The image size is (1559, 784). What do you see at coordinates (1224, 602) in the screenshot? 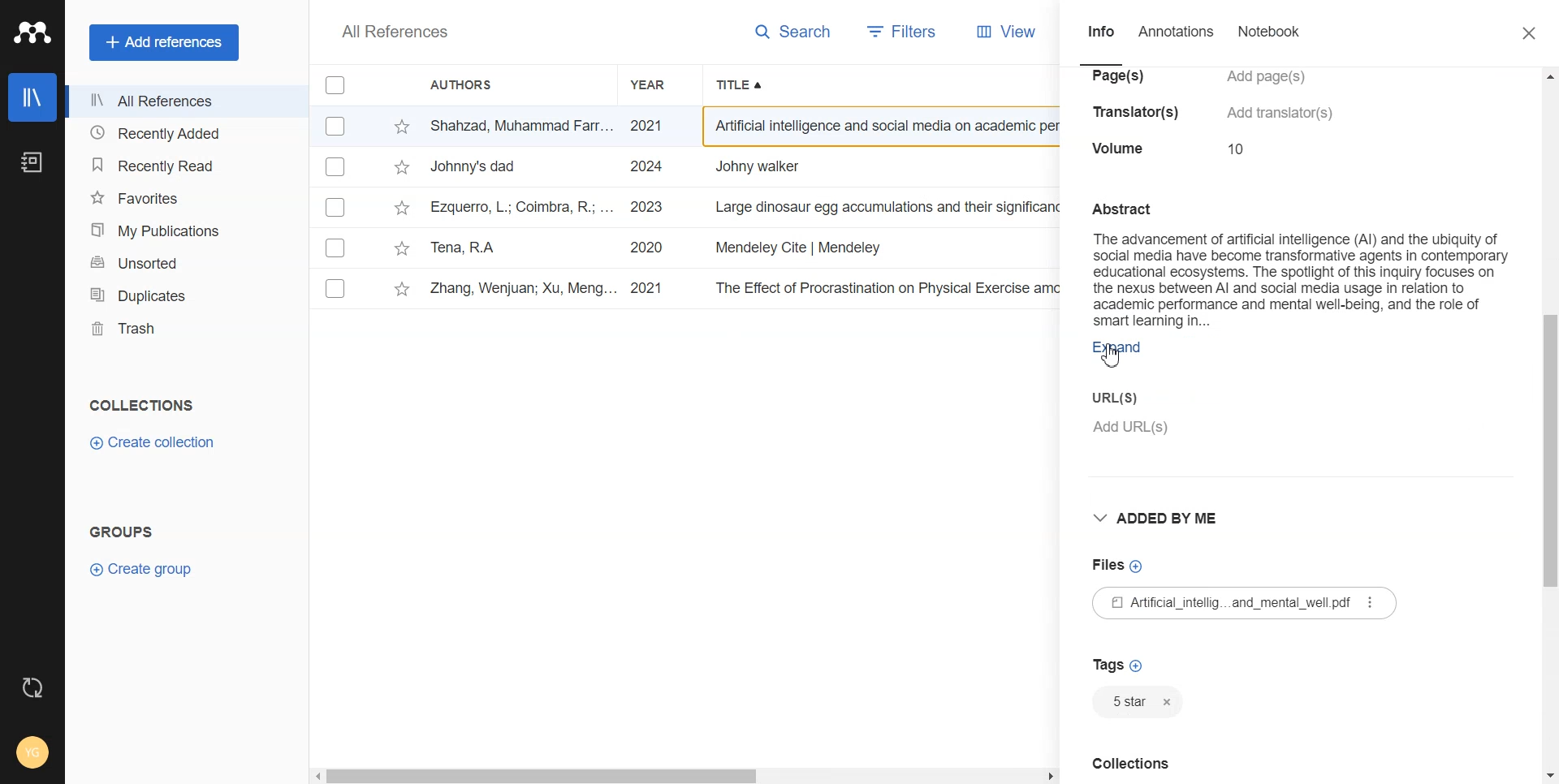
I see `File` at bounding box center [1224, 602].